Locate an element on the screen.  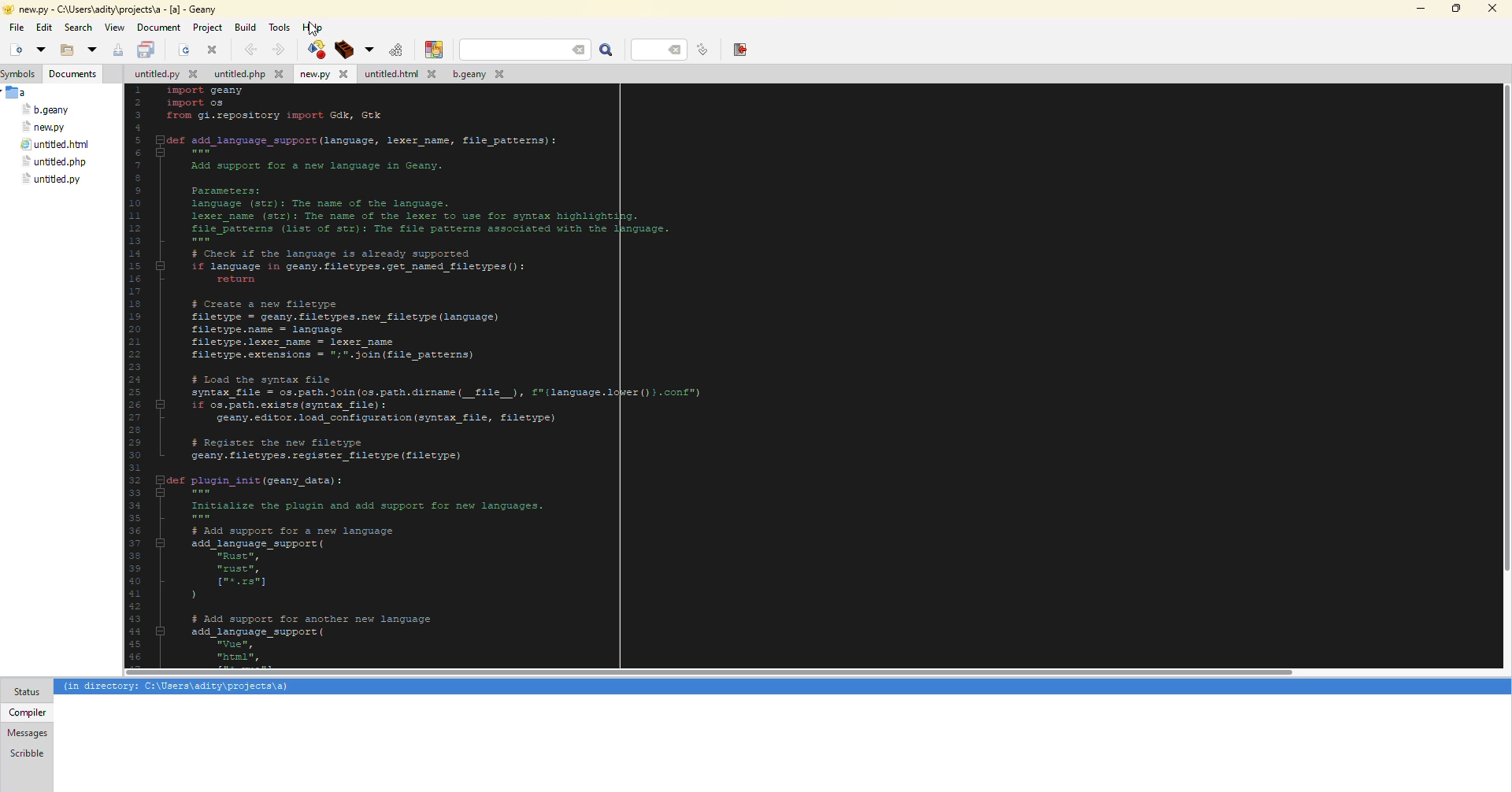
status is located at coordinates (27, 692).